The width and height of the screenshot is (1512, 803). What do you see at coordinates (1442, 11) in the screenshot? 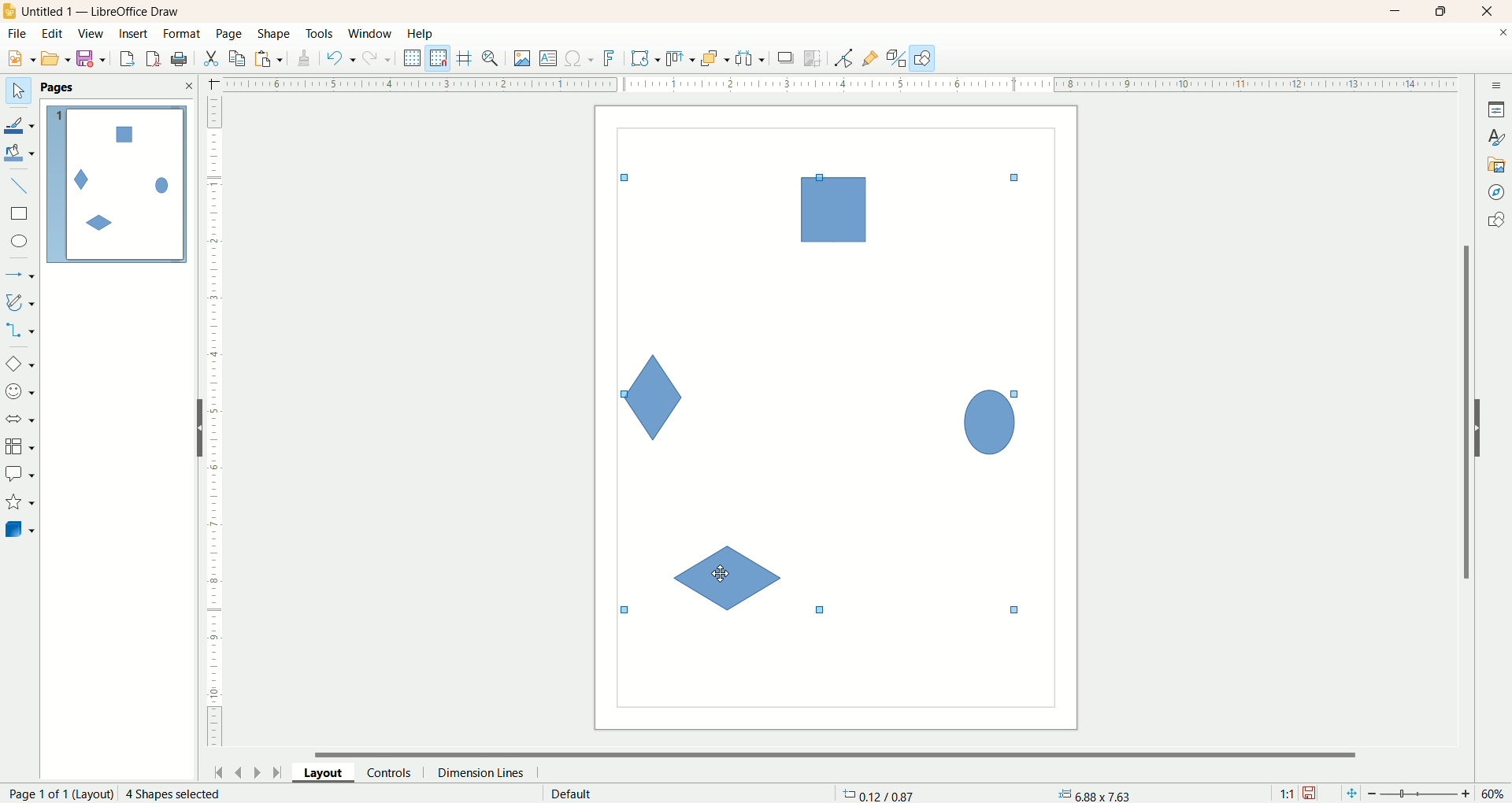
I see `maximize` at bounding box center [1442, 11].